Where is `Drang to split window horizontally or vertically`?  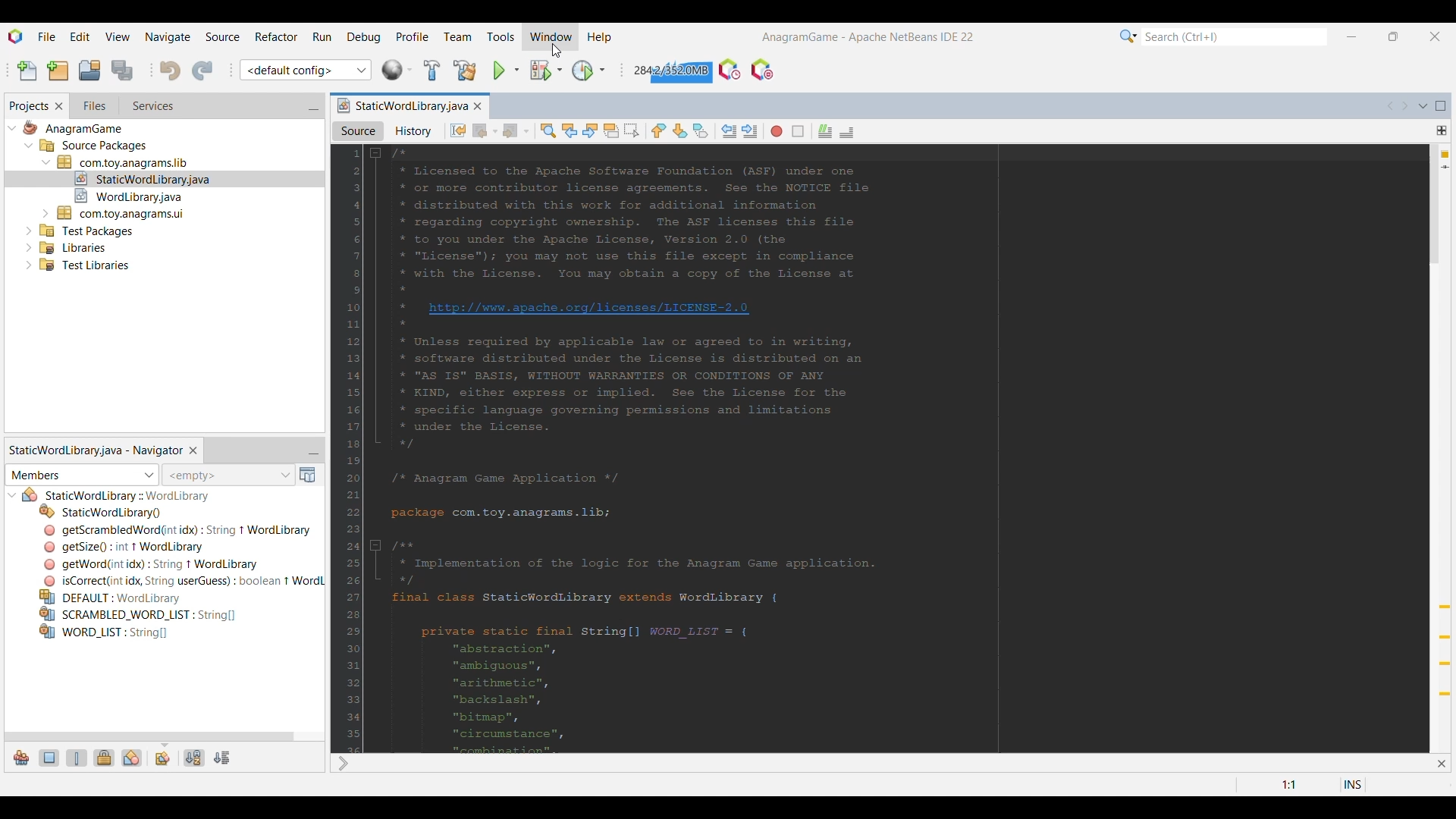 Drang to split window horizontally or vertically is located at coordinates (1442, 130).